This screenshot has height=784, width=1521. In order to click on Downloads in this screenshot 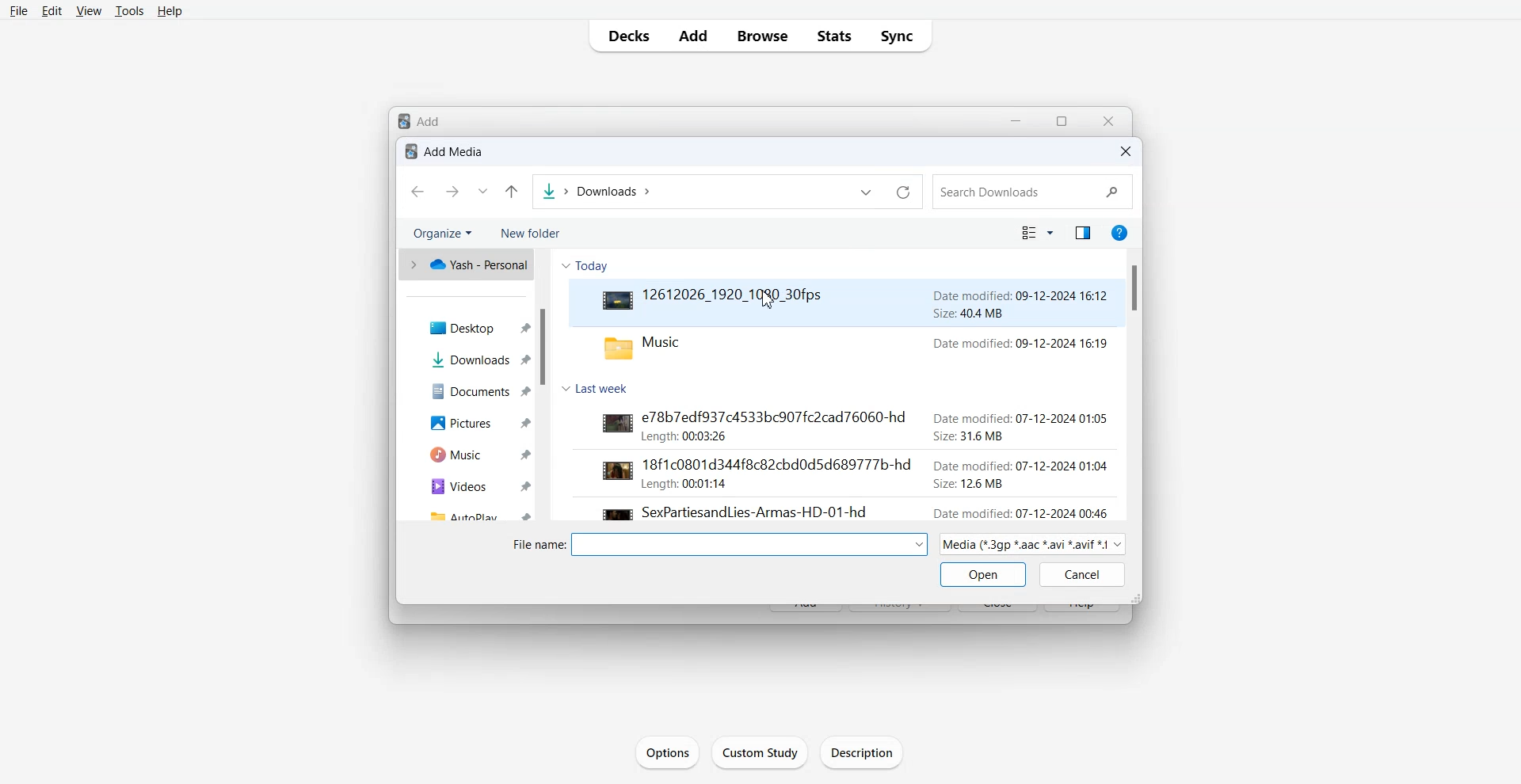, I will do `click(474, 360)`.